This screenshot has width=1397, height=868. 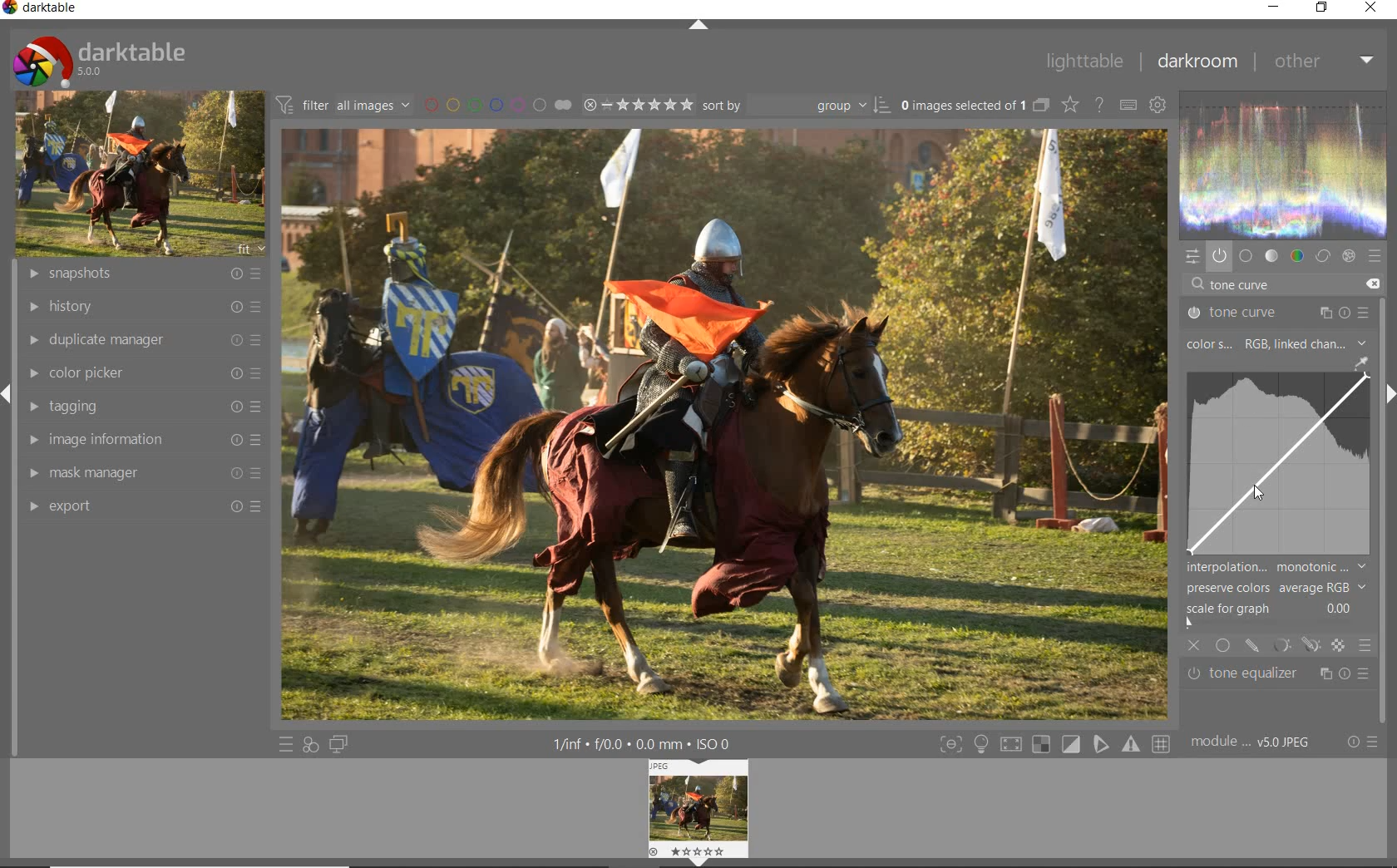 I want to click on darkroom, so click(x=1197, y=63).